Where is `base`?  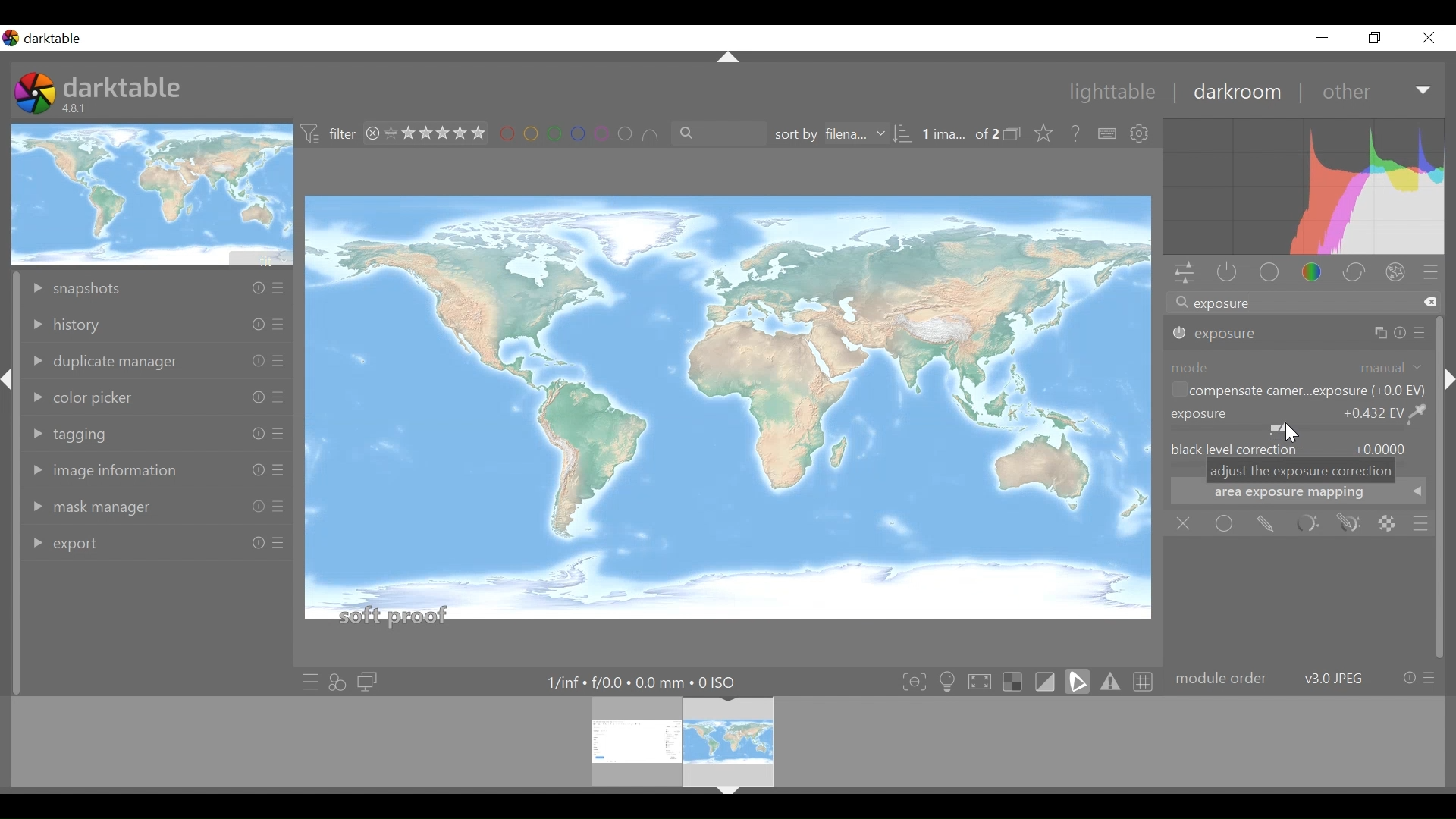
base is located at coordinates (1271, 274).